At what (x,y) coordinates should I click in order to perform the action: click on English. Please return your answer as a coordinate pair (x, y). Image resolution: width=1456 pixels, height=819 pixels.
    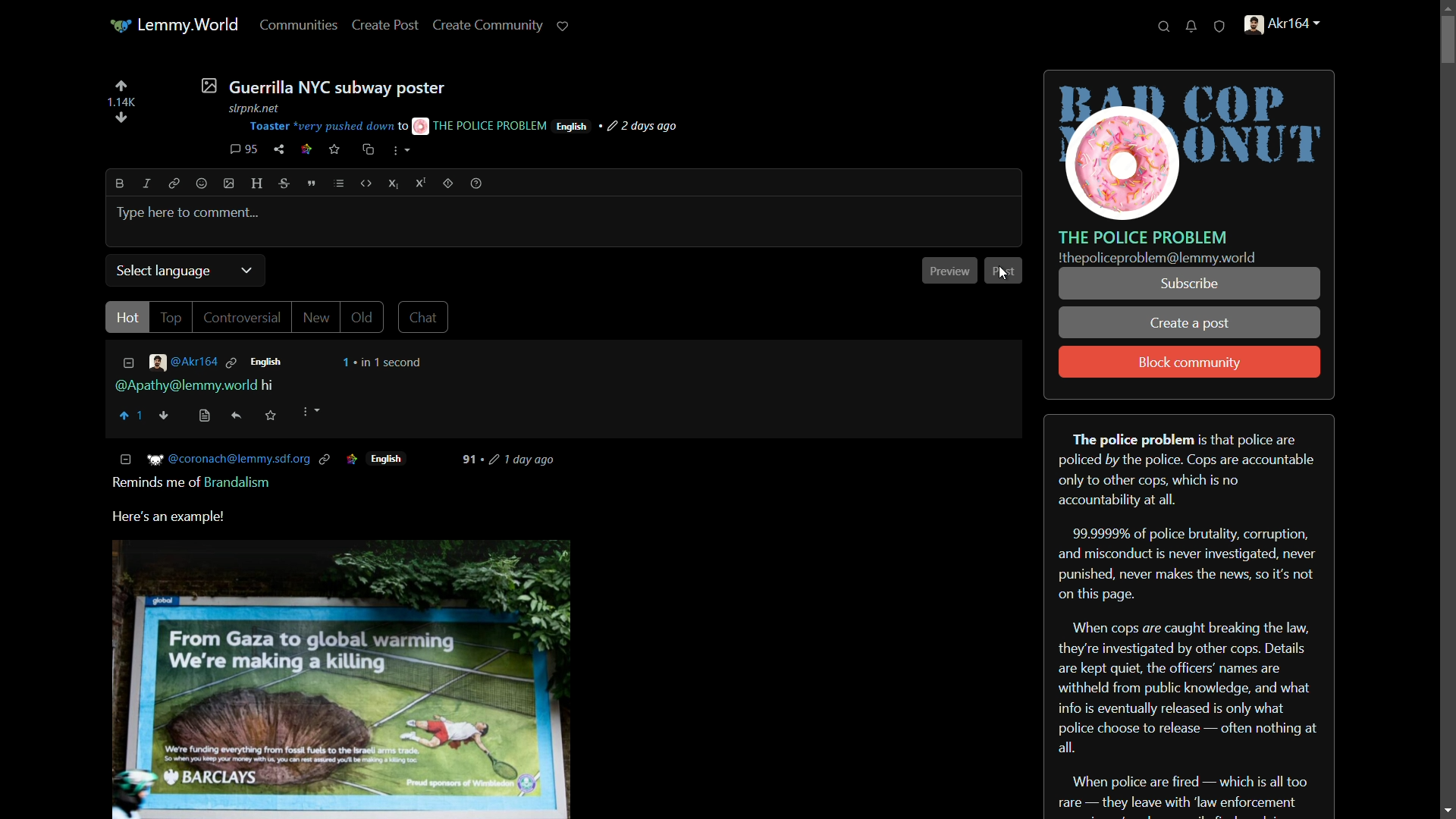
    Looking at the image, I should click on (388, 460).